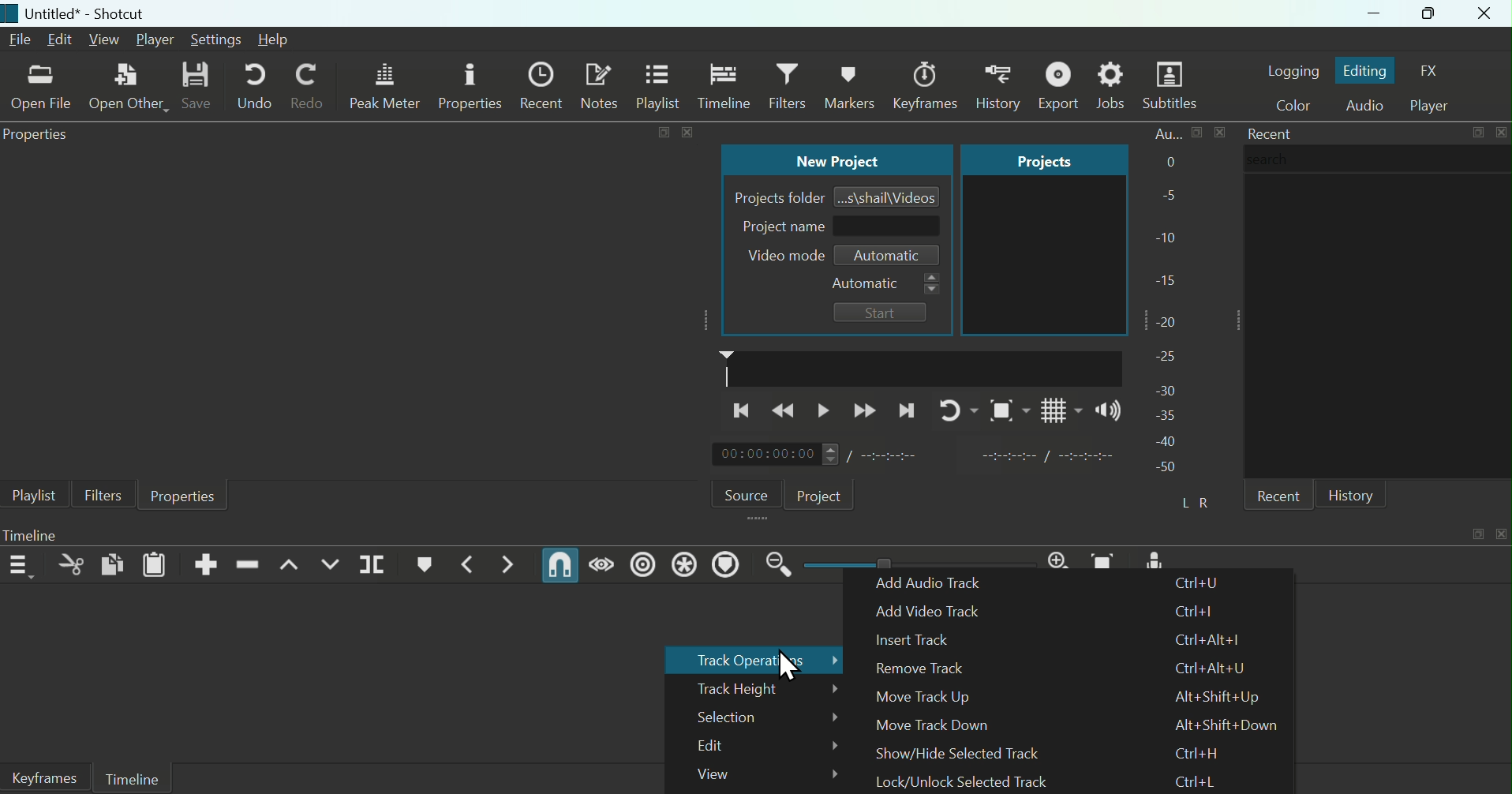 The width and height of the screenshot is (1512, 794). Describe the element at coordinates (724, 85) in the screenshot. I see `Timeline` at that location.